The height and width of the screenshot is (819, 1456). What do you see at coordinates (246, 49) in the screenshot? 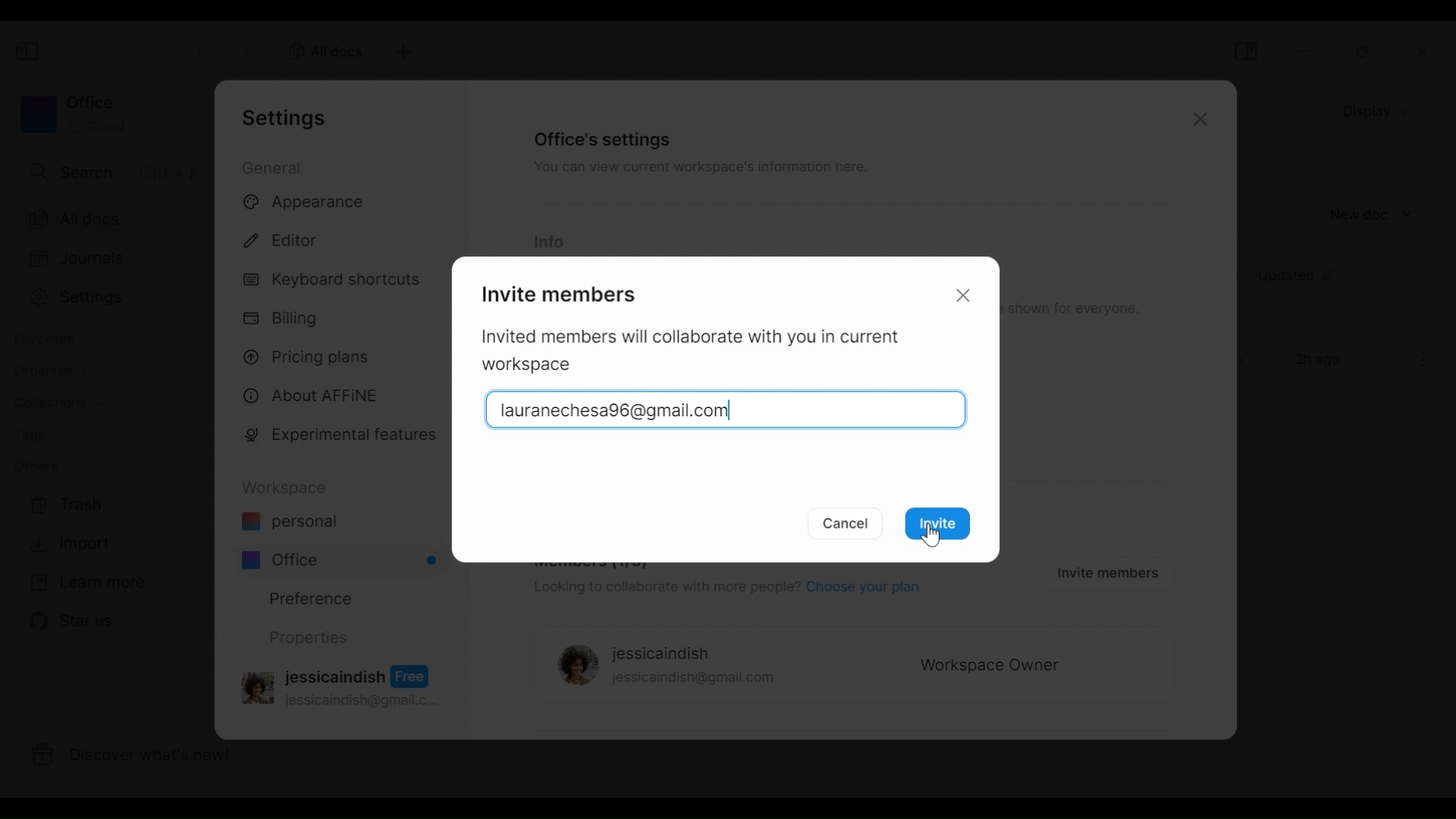
I see `Go Forward` at bounding box center [246, 49].